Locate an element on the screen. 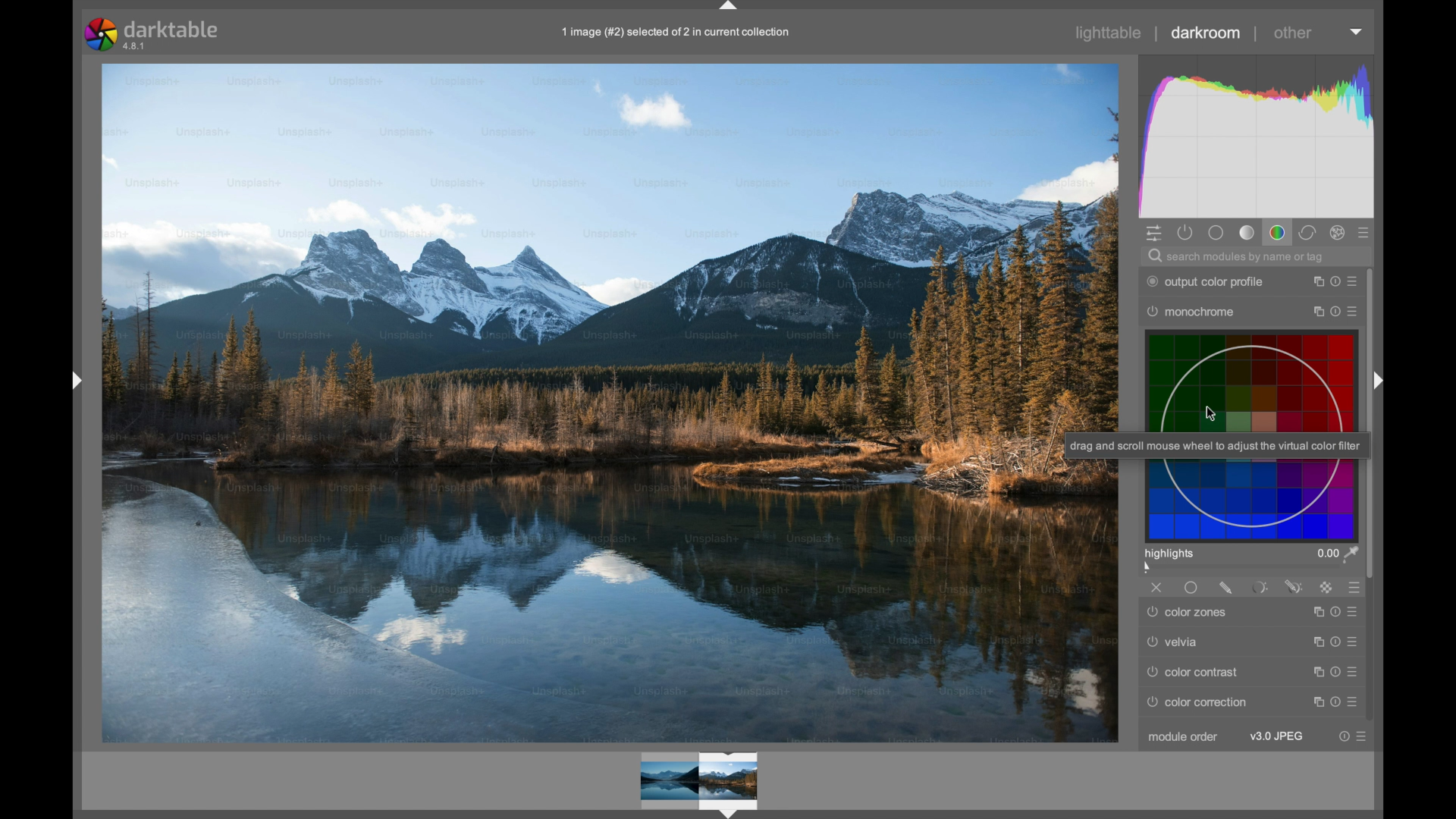 The image size is (1456, 819). virtual color filters is located at coordinates (1248, 437).